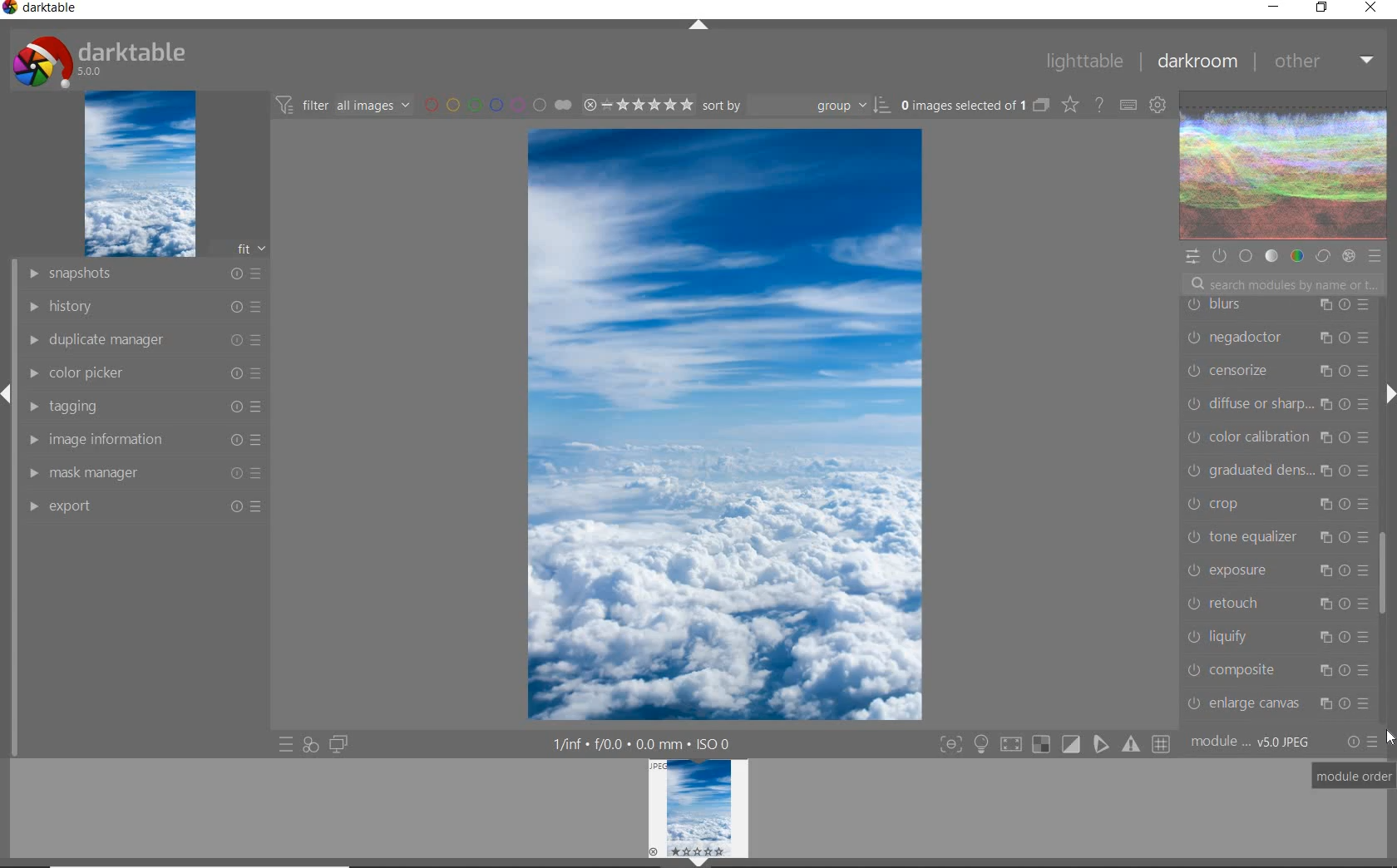 This screenshot has width=1397, height=868. Describe the element at coordinates (1251, 745) in the screenshot. I see `module ... v5.0 JPEG` at that location.